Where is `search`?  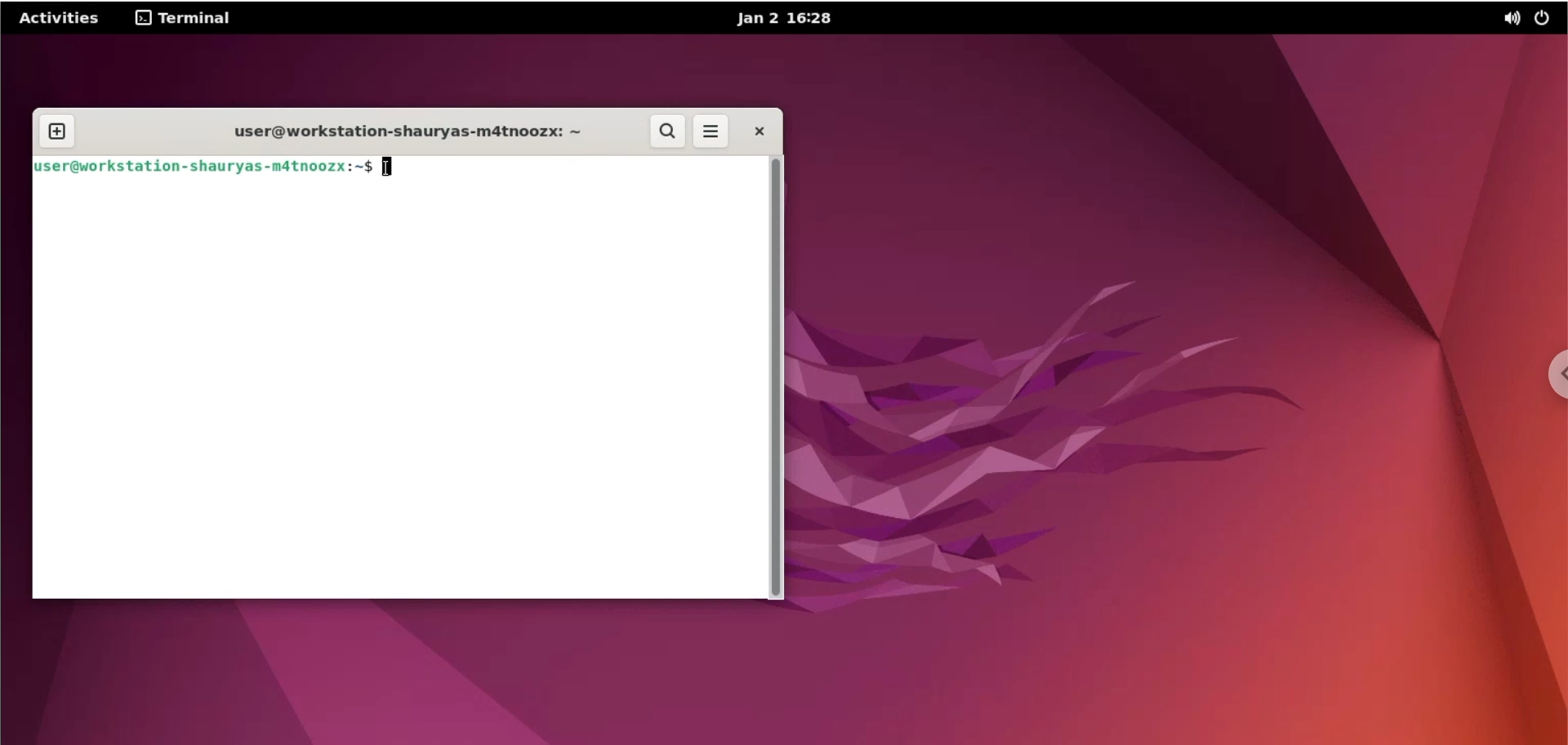 search is located at coordinates (667, 132).